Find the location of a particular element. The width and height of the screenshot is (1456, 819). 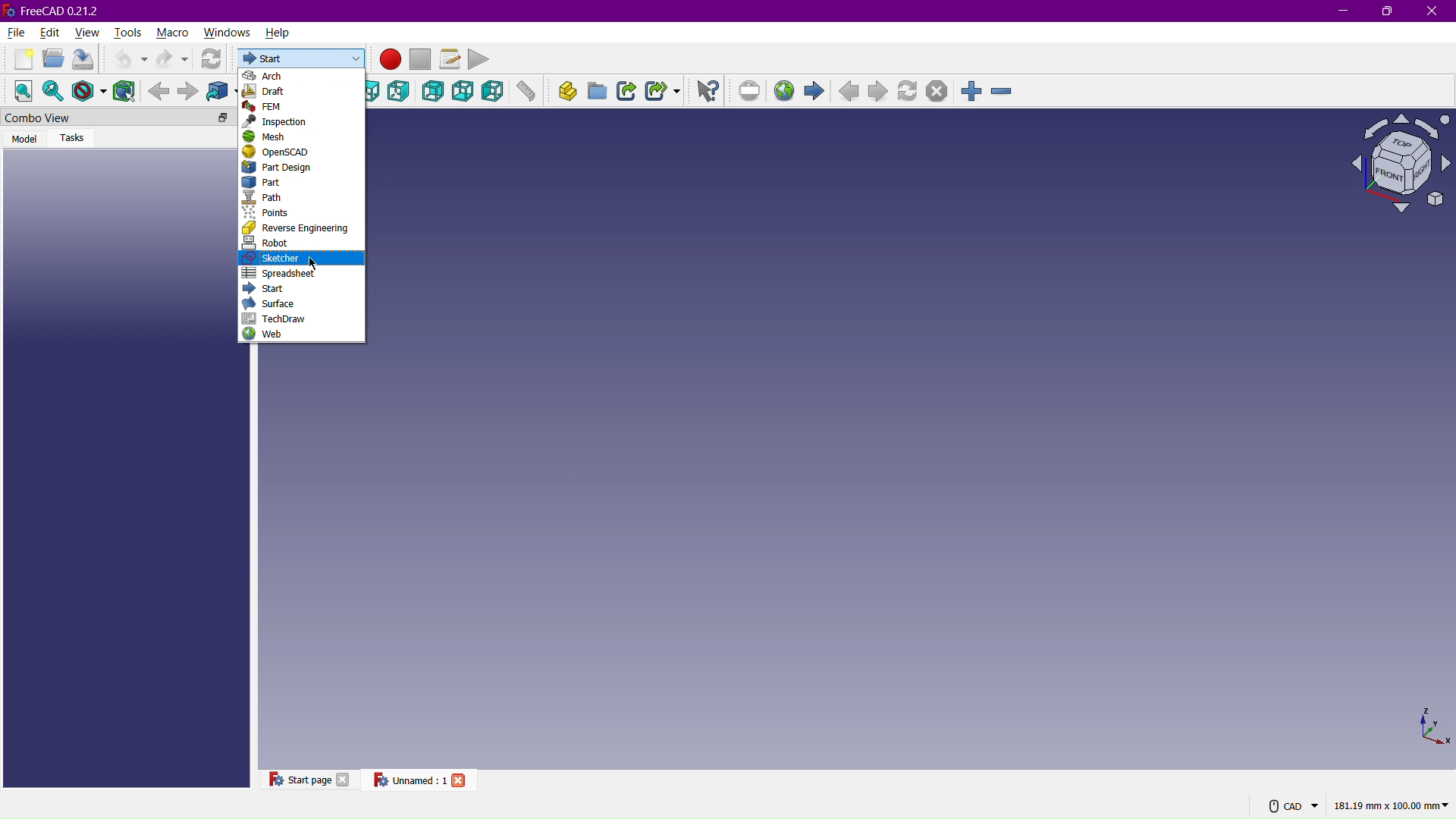

Reverse Engineering is located at coordinates (302, 231).